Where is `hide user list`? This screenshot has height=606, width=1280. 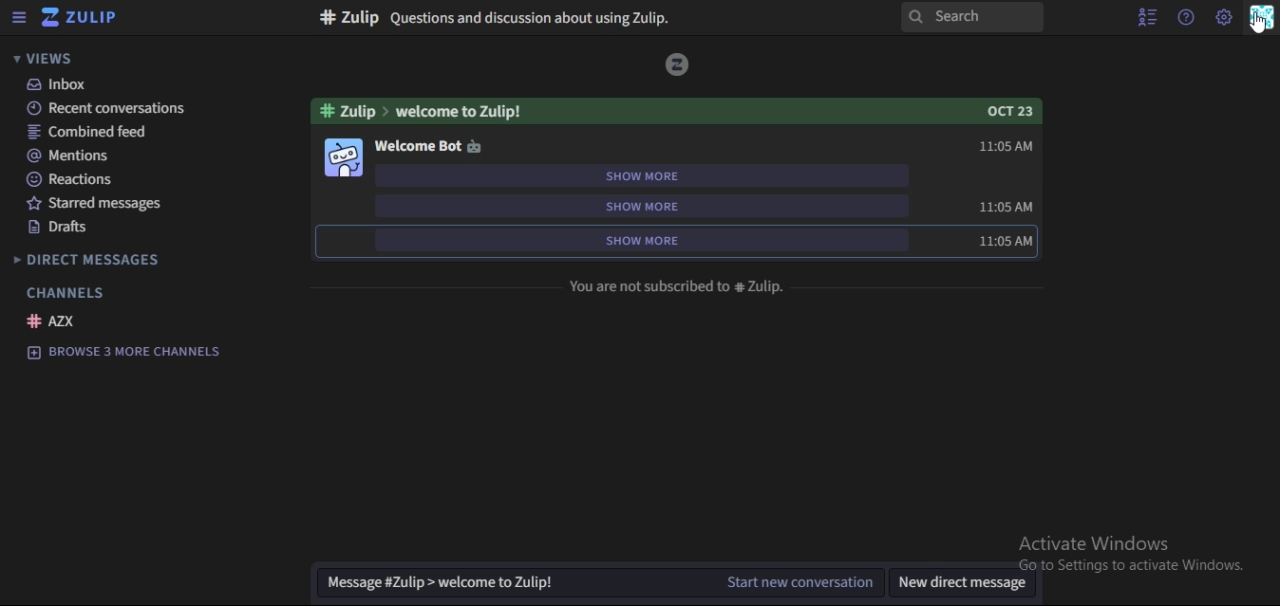
hide user list is located at coordinates (1144, 17).